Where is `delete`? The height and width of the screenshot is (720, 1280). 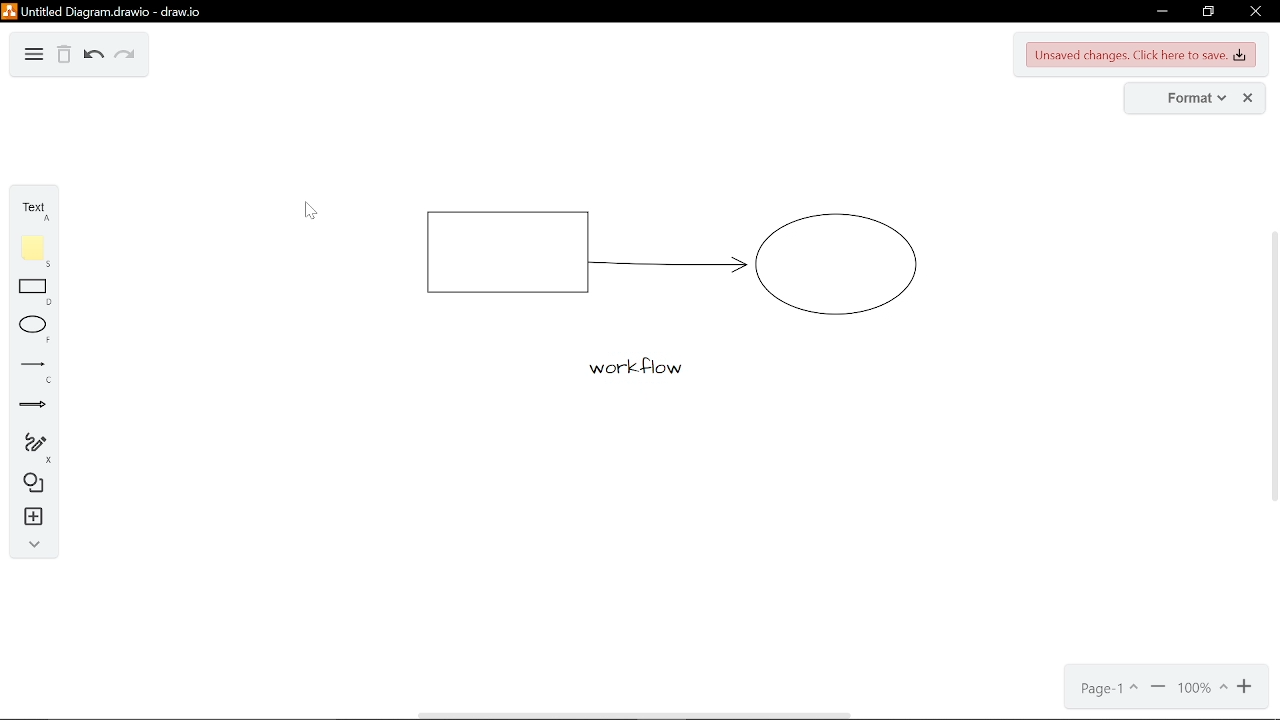 delete is located at coordinates (63, 53).